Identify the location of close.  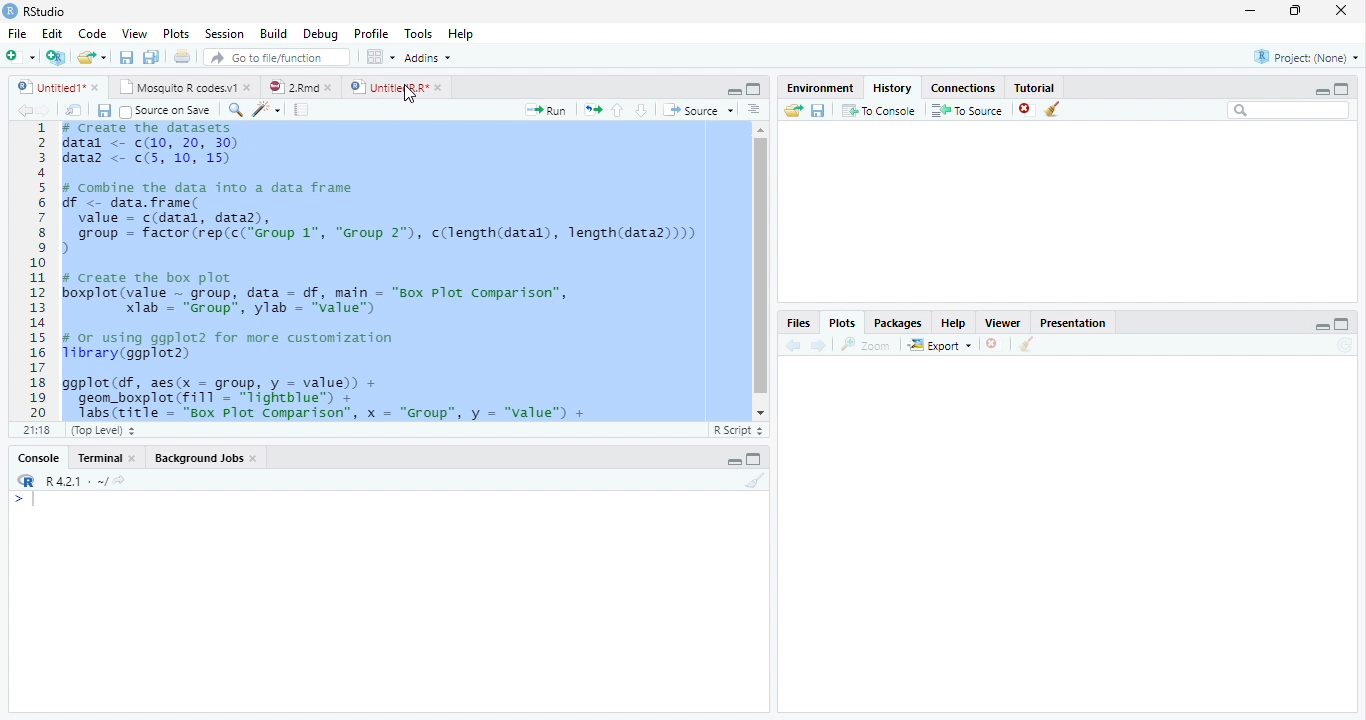
(1341, 10).